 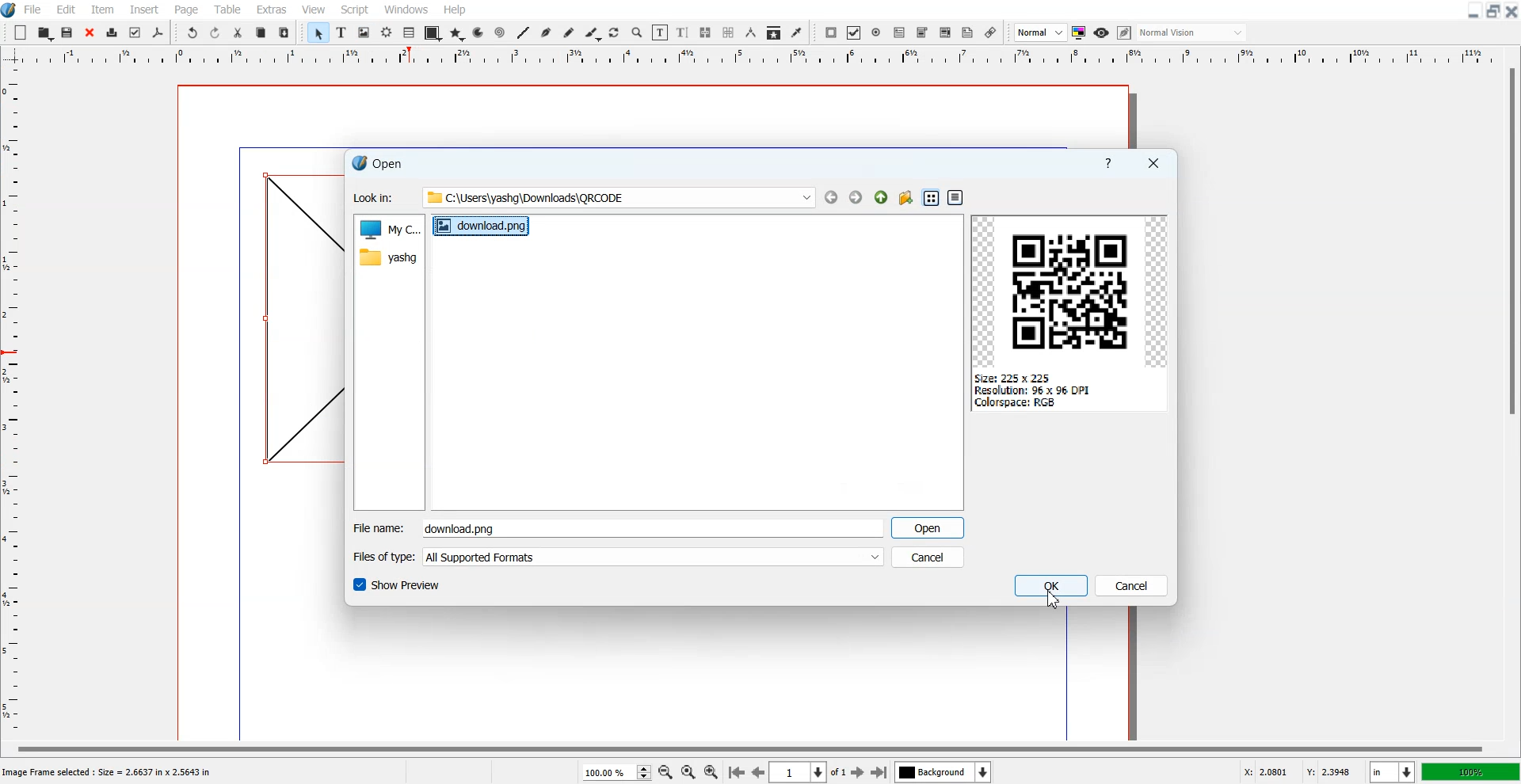 What do you see at coordinates (1301, 771) in the screenshot?
I see `X,Y Co-ordinate` at bounding box center [1301, 771].